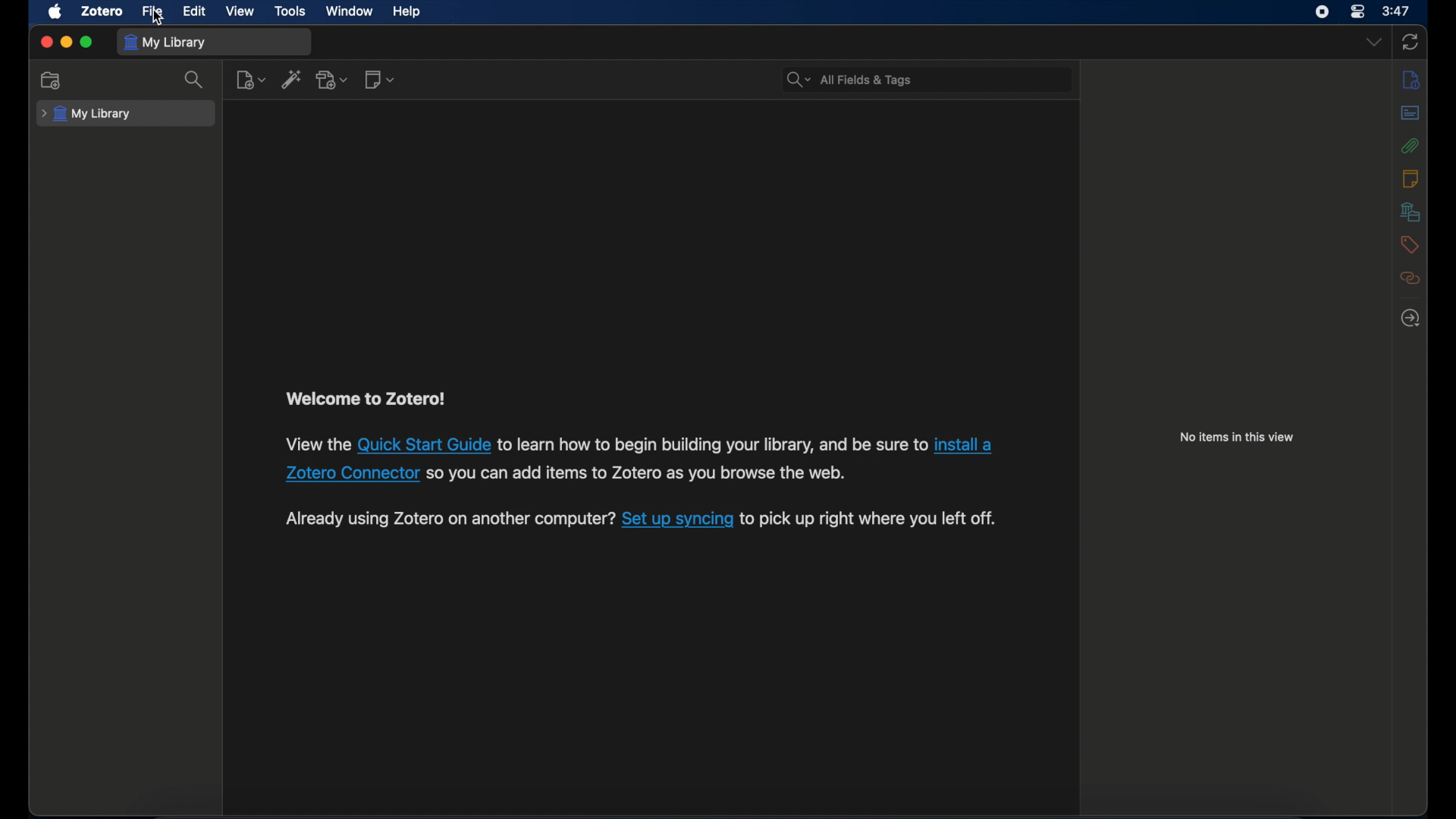 The height and width of the screenshot is (819, 1456). Describe the element at coordinates (351, 11) in the screenshot. I see `window` at that location.